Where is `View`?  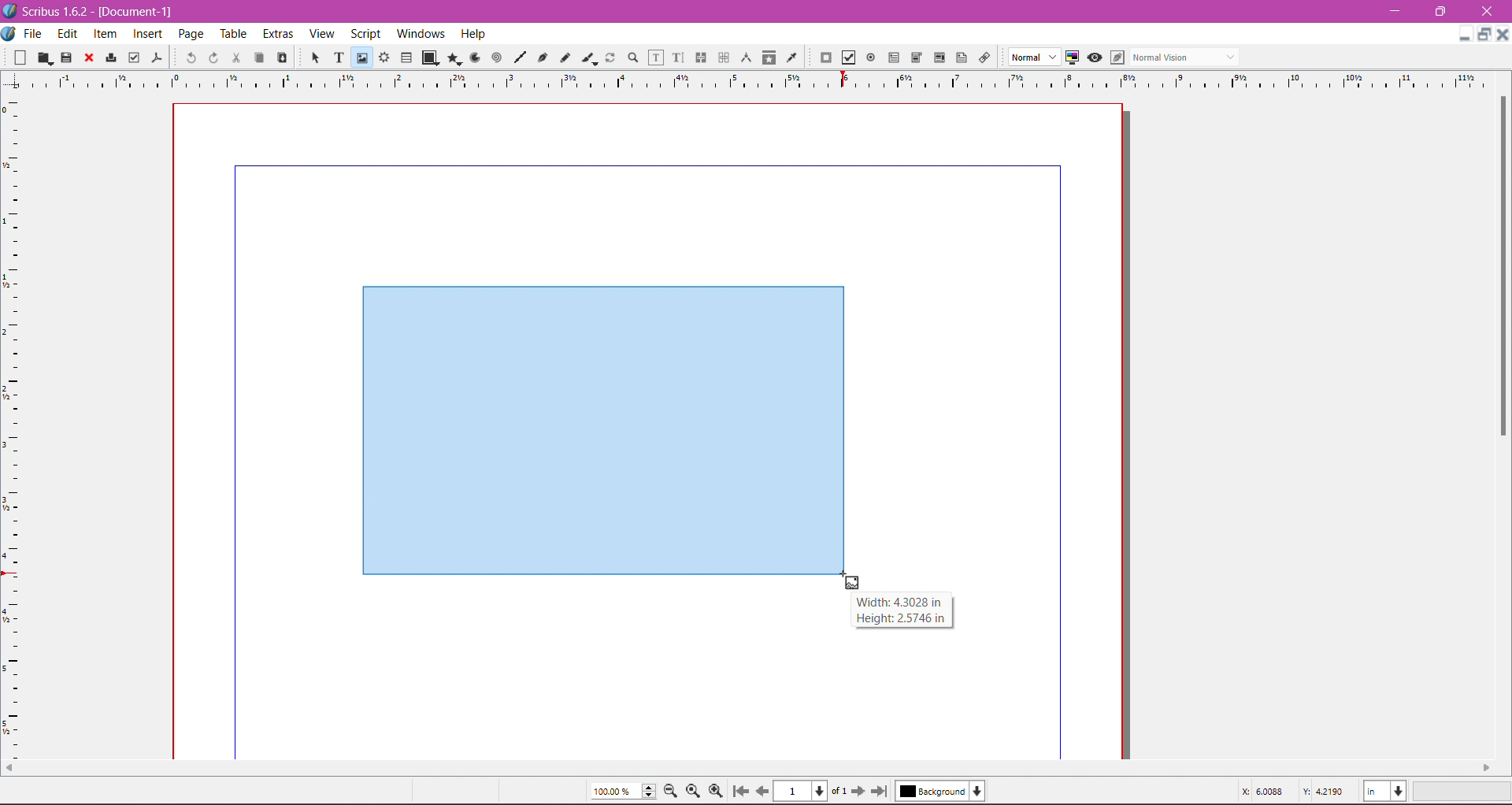
View is located at coordinates (322, 34).